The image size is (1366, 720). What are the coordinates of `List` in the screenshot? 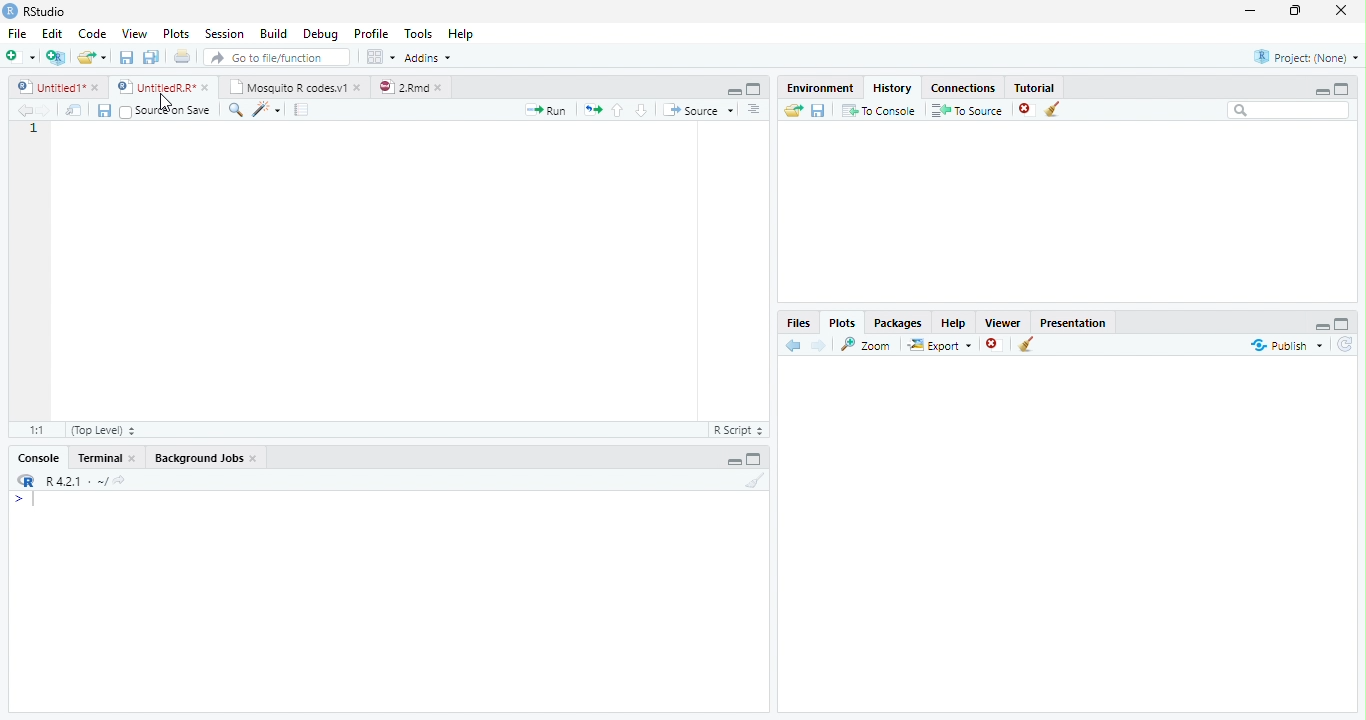 It's located at (756, 111).